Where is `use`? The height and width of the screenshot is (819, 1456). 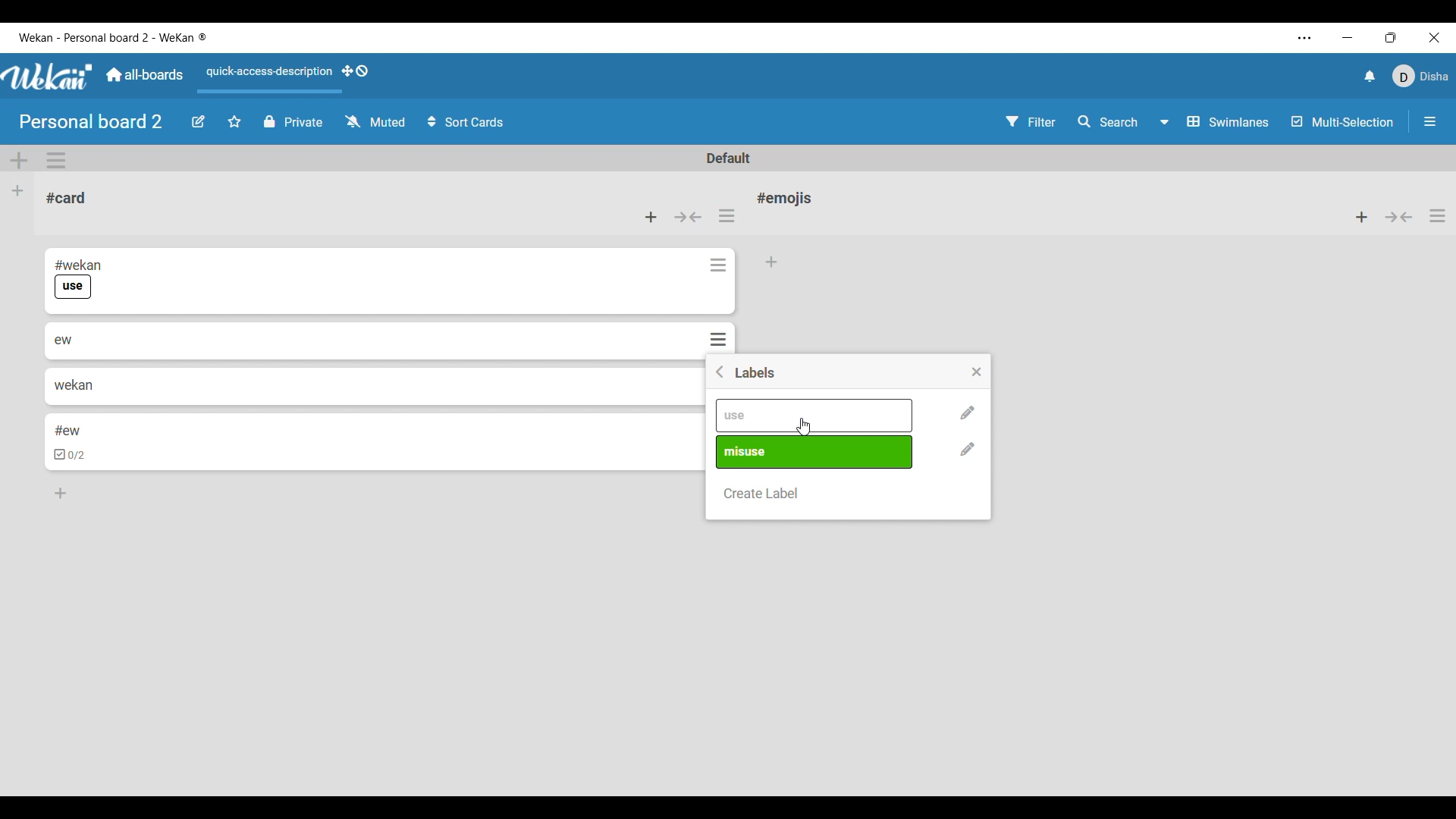
use is located at coordinates (73, 287).